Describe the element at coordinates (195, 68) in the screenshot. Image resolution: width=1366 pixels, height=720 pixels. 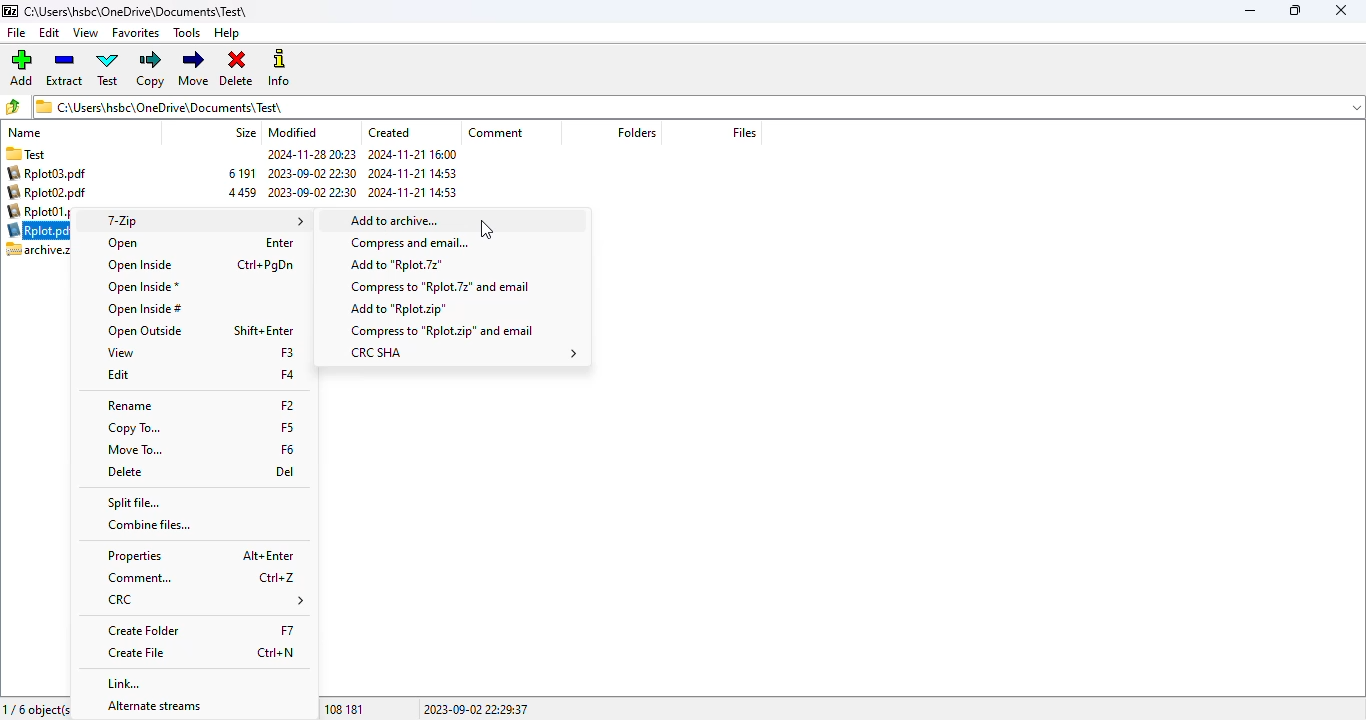
I see `move` at that location.